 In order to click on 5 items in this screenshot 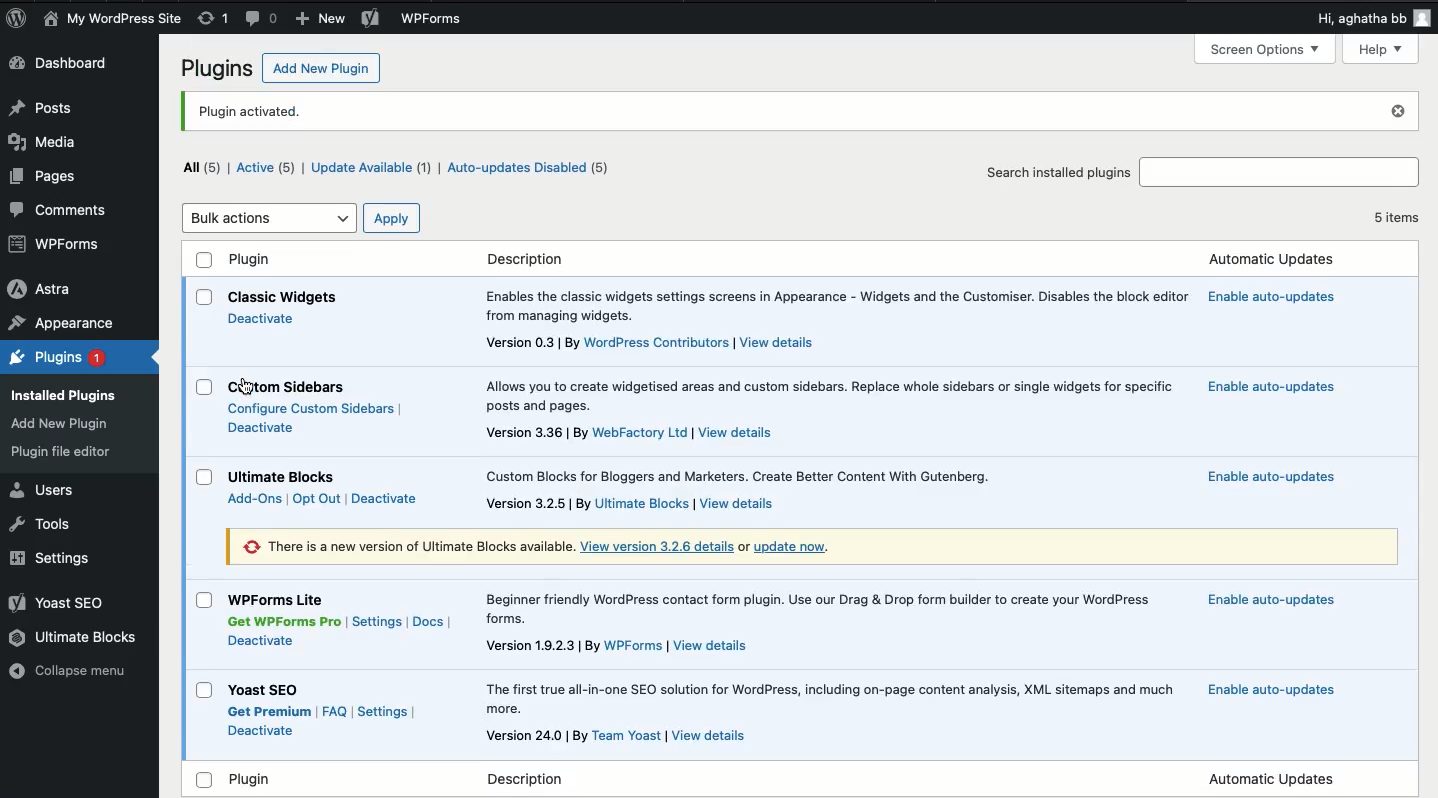, I will do `click(1394, 219)`.